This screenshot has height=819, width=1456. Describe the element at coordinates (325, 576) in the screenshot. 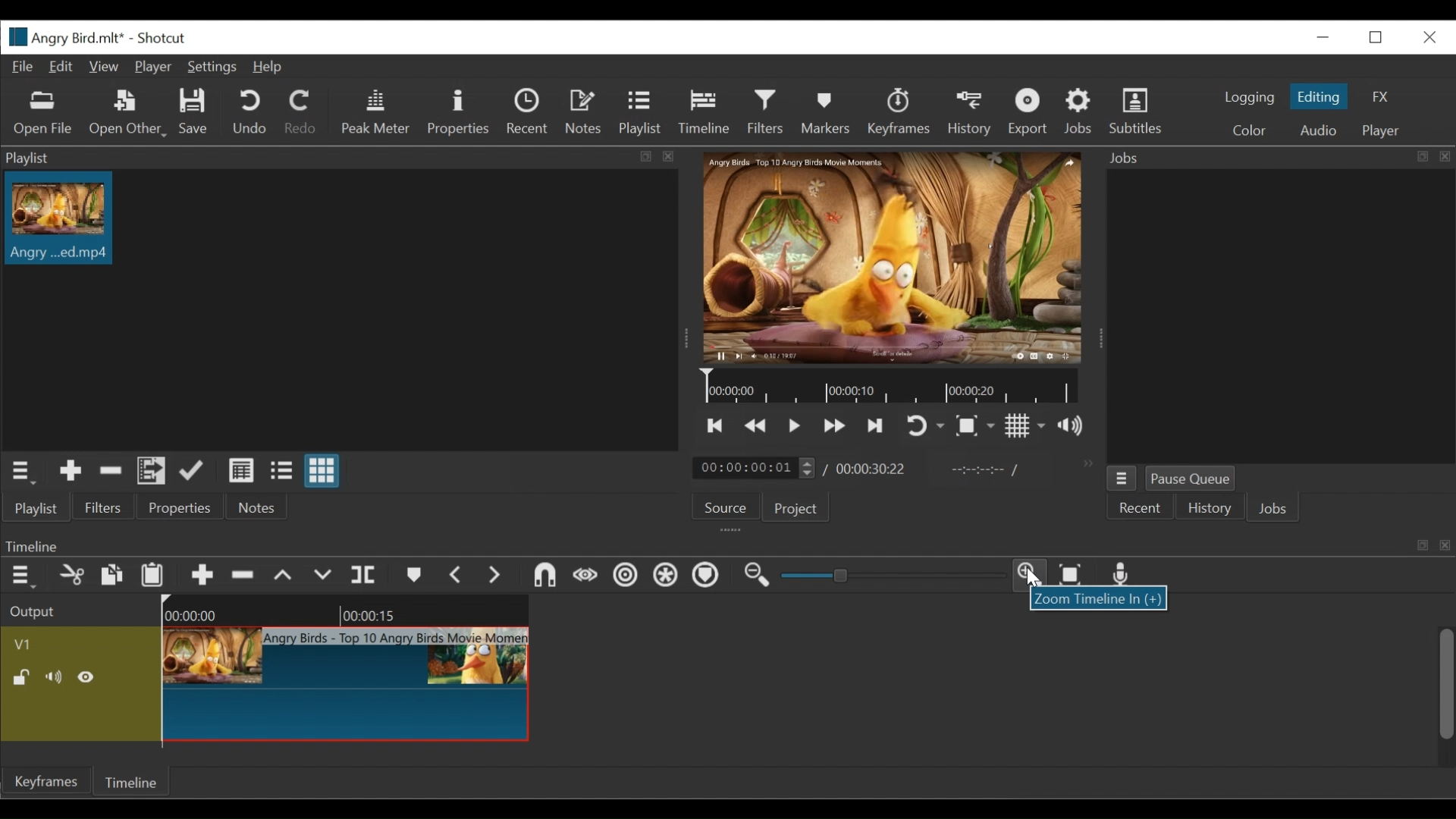

I see `Overwrite` at that location.